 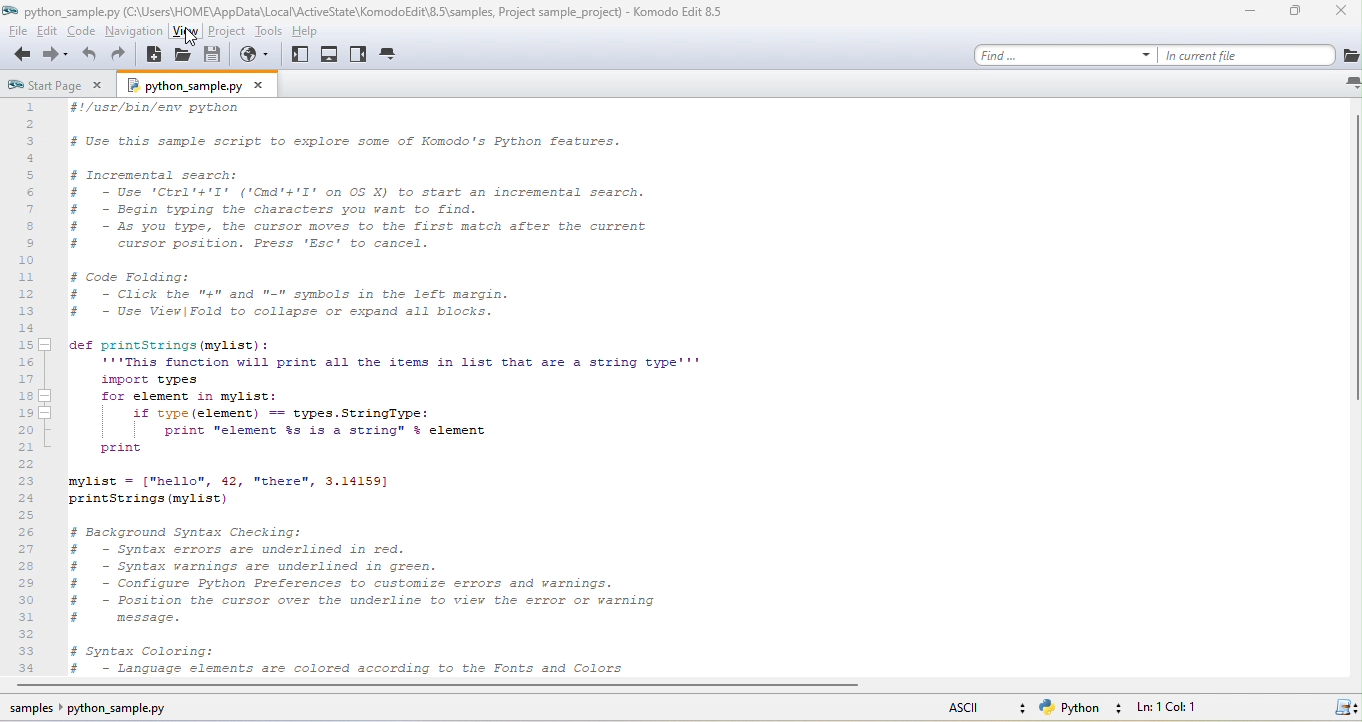 I want to click on save, so click(x=212, y=58).